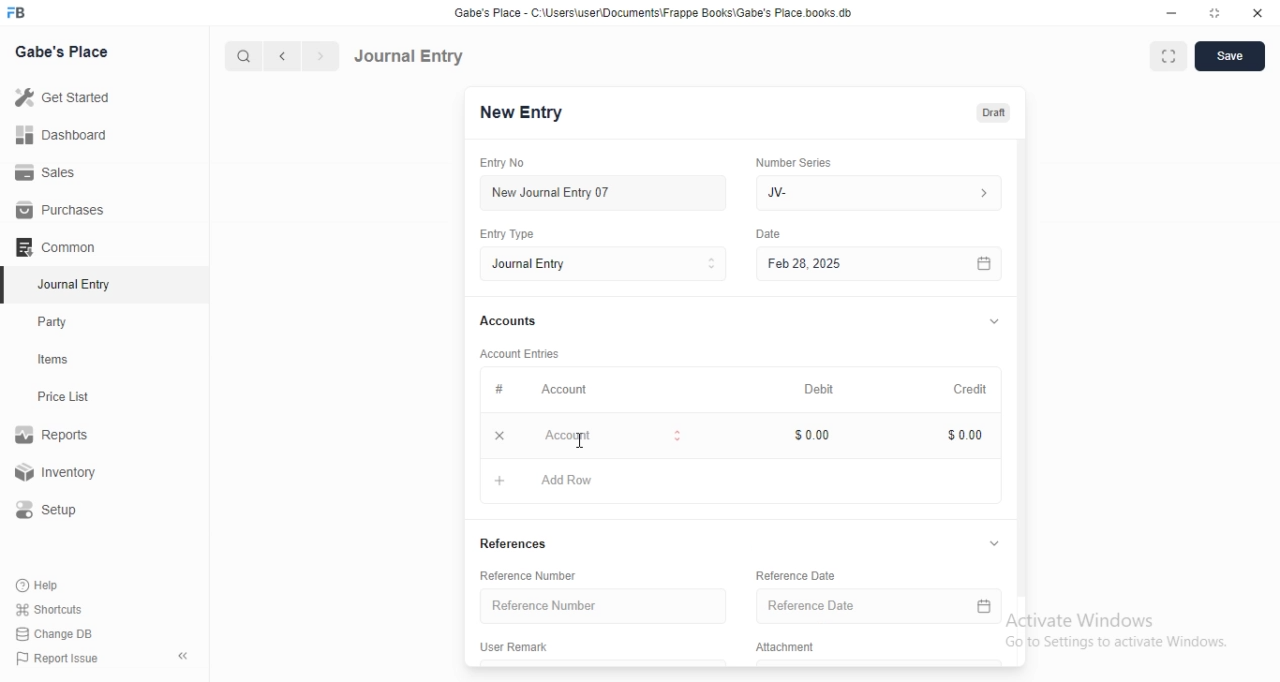 The height and width of the screenshot is (682, 1280). I want to click on tems, so click(61, 360).